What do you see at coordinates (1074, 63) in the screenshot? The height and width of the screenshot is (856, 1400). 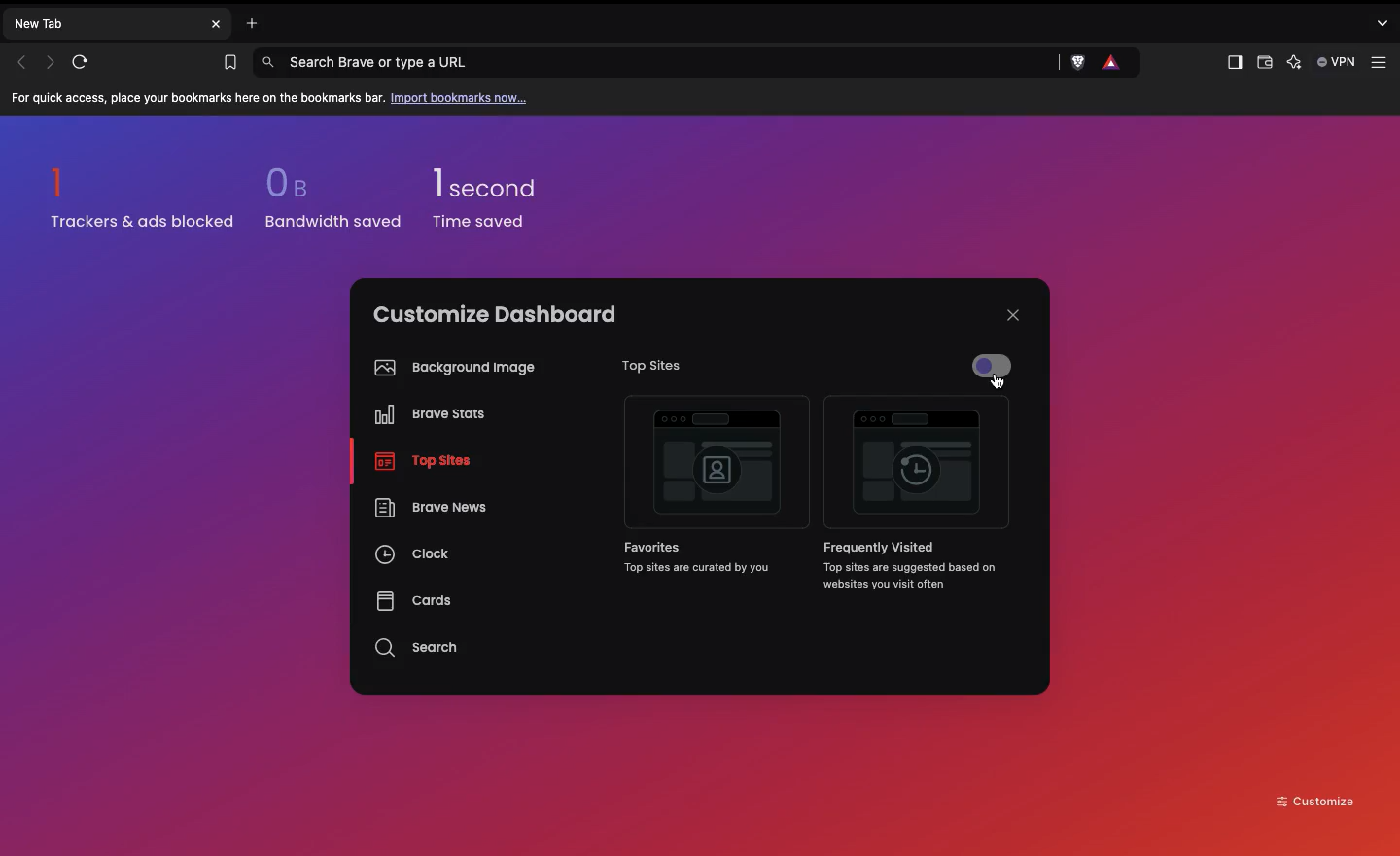 I see `Brave Shields` at bounding box center [1074, 63].